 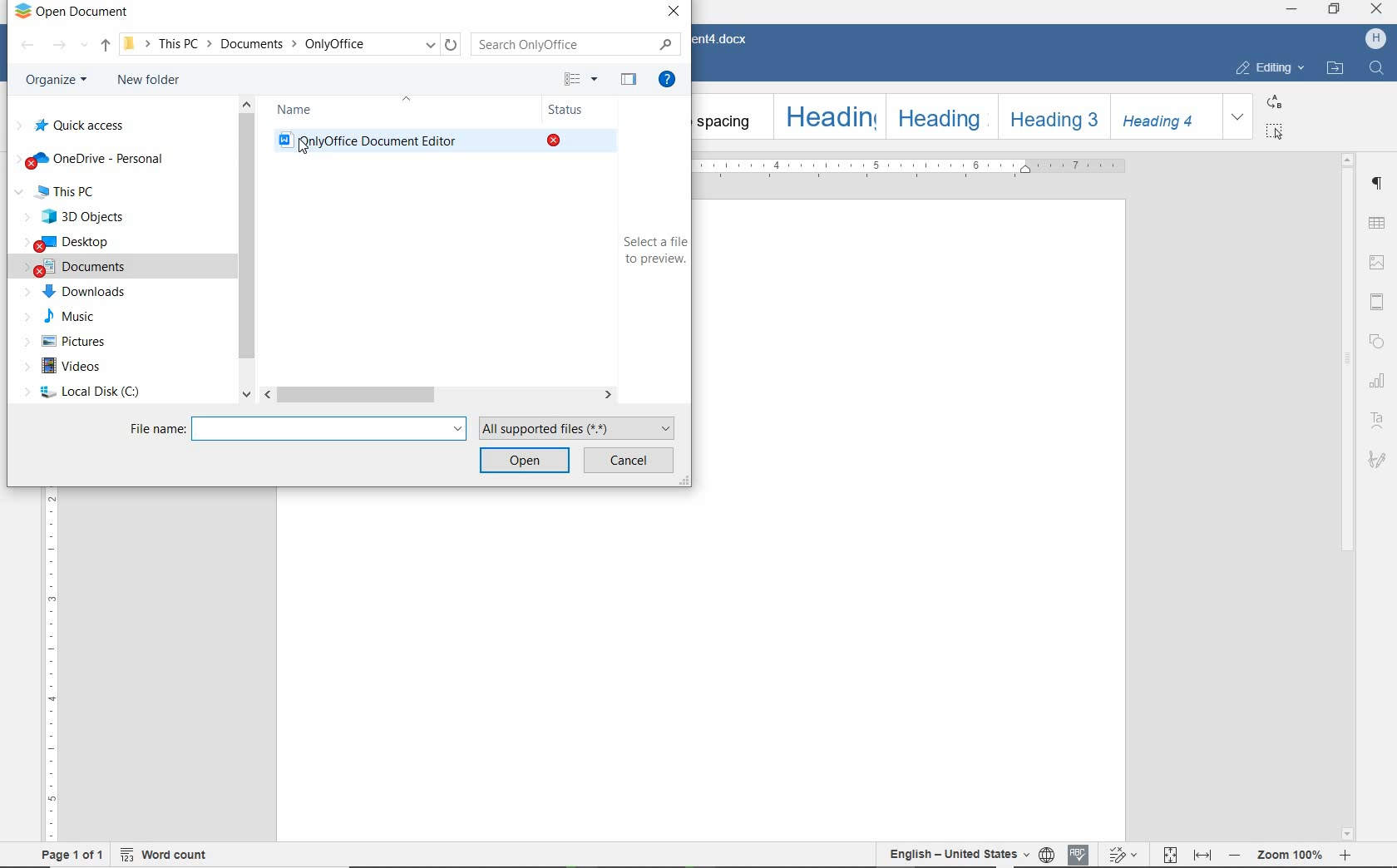 What do you see at coordinates (1377, 224) in the screenshot?
I see `table` at bounding box center [1377, 224].